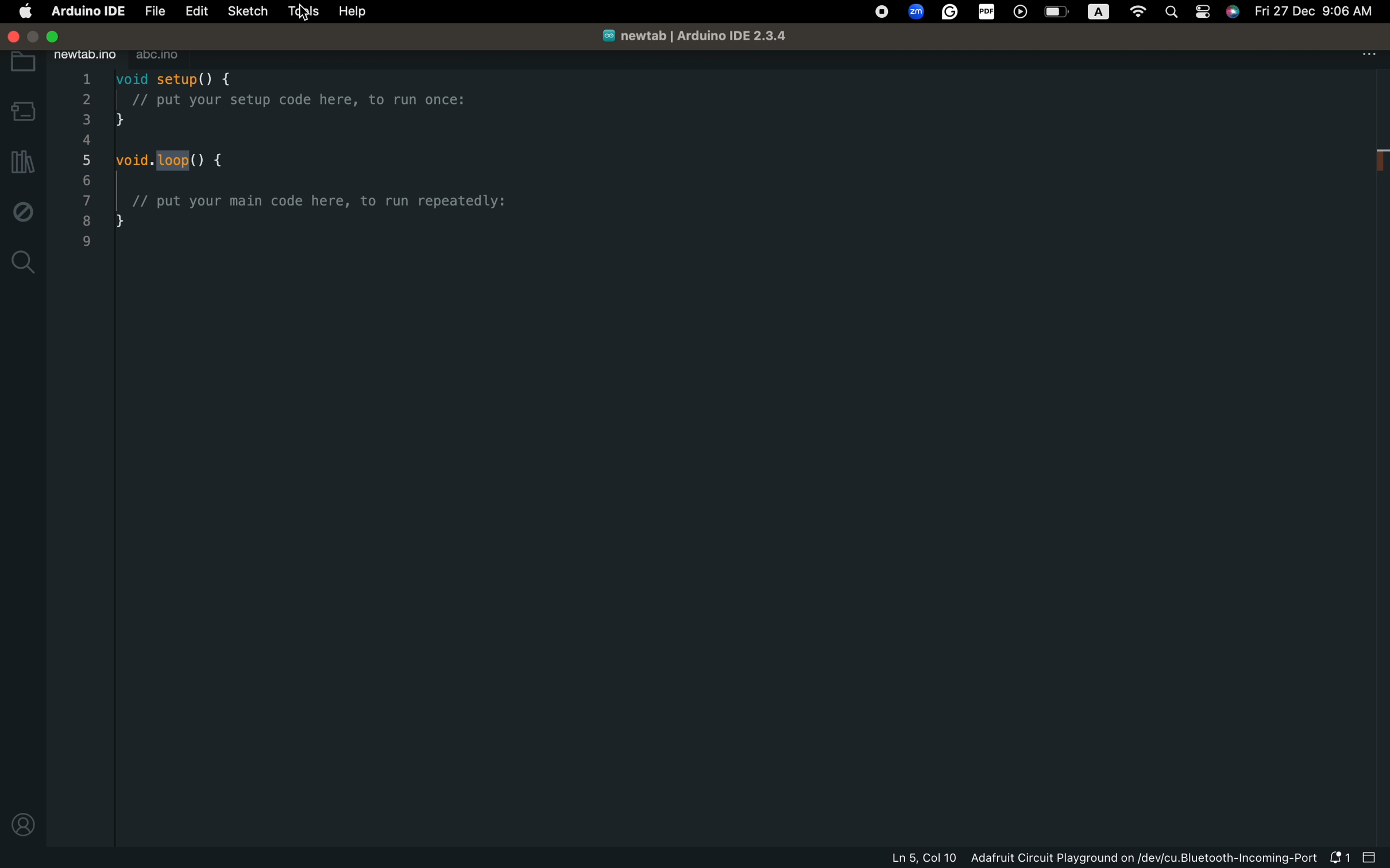  I want to click on abc.ino, so click(166, 53).